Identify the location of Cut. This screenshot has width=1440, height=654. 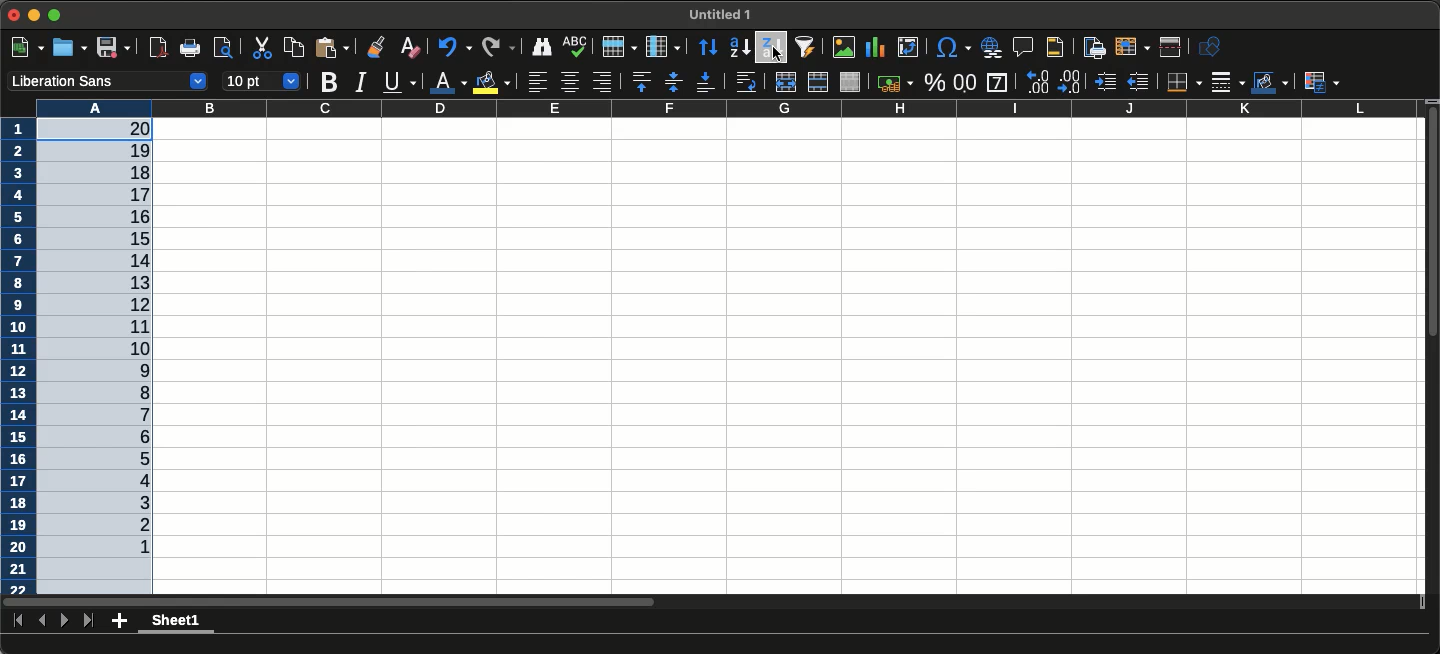
(261, 49).